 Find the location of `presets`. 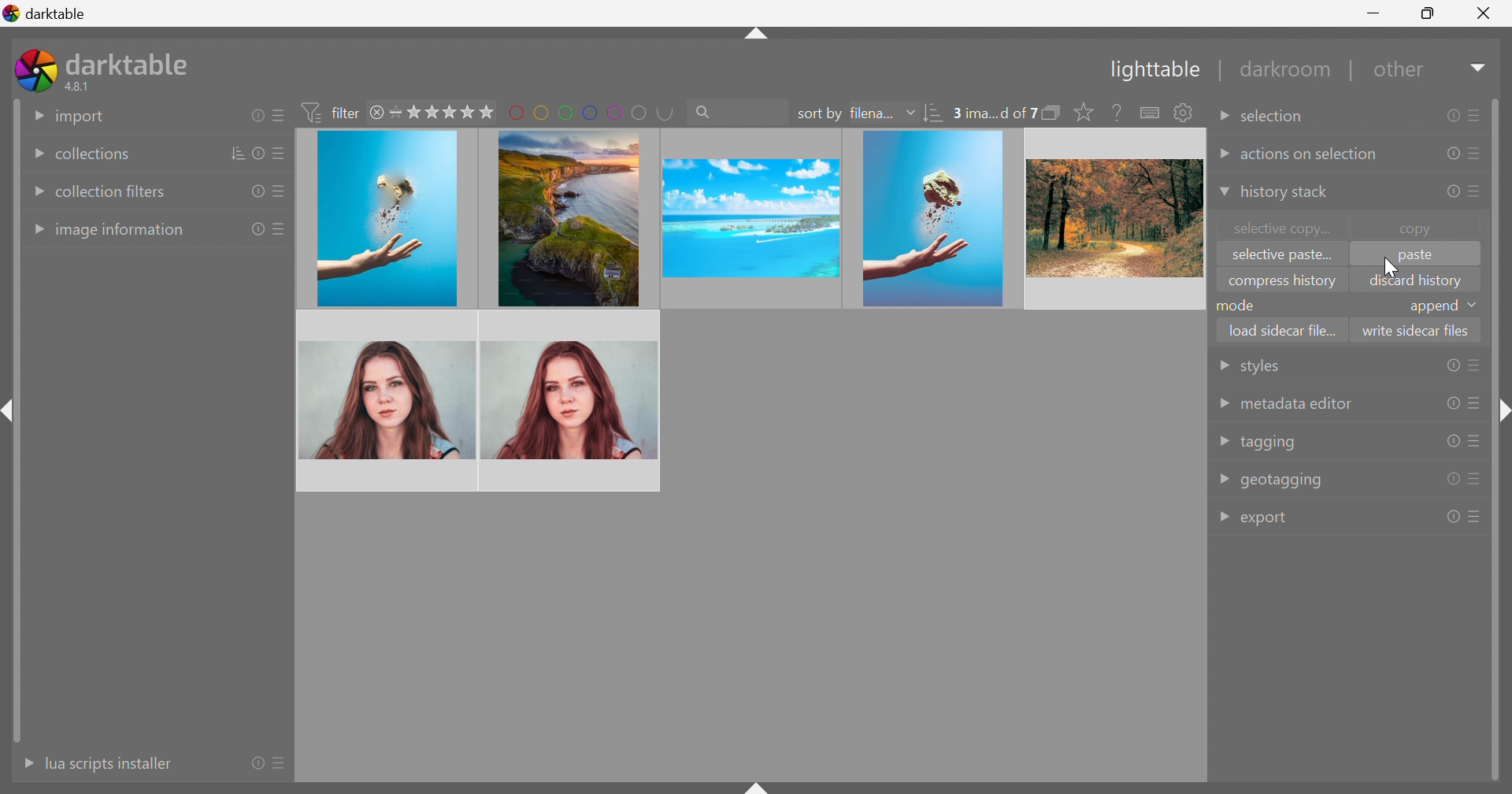

presets is located at coordinates (276, 194).